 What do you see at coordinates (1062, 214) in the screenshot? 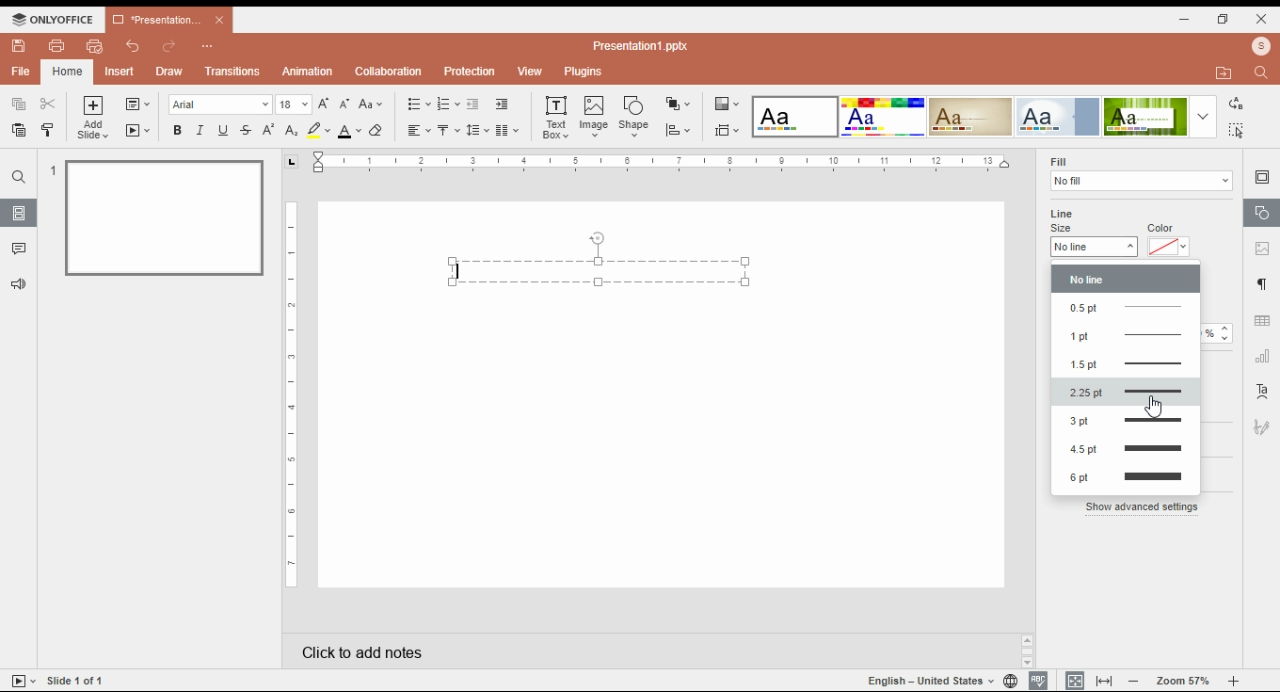
I see `line` at bounding box center [1062, 214].